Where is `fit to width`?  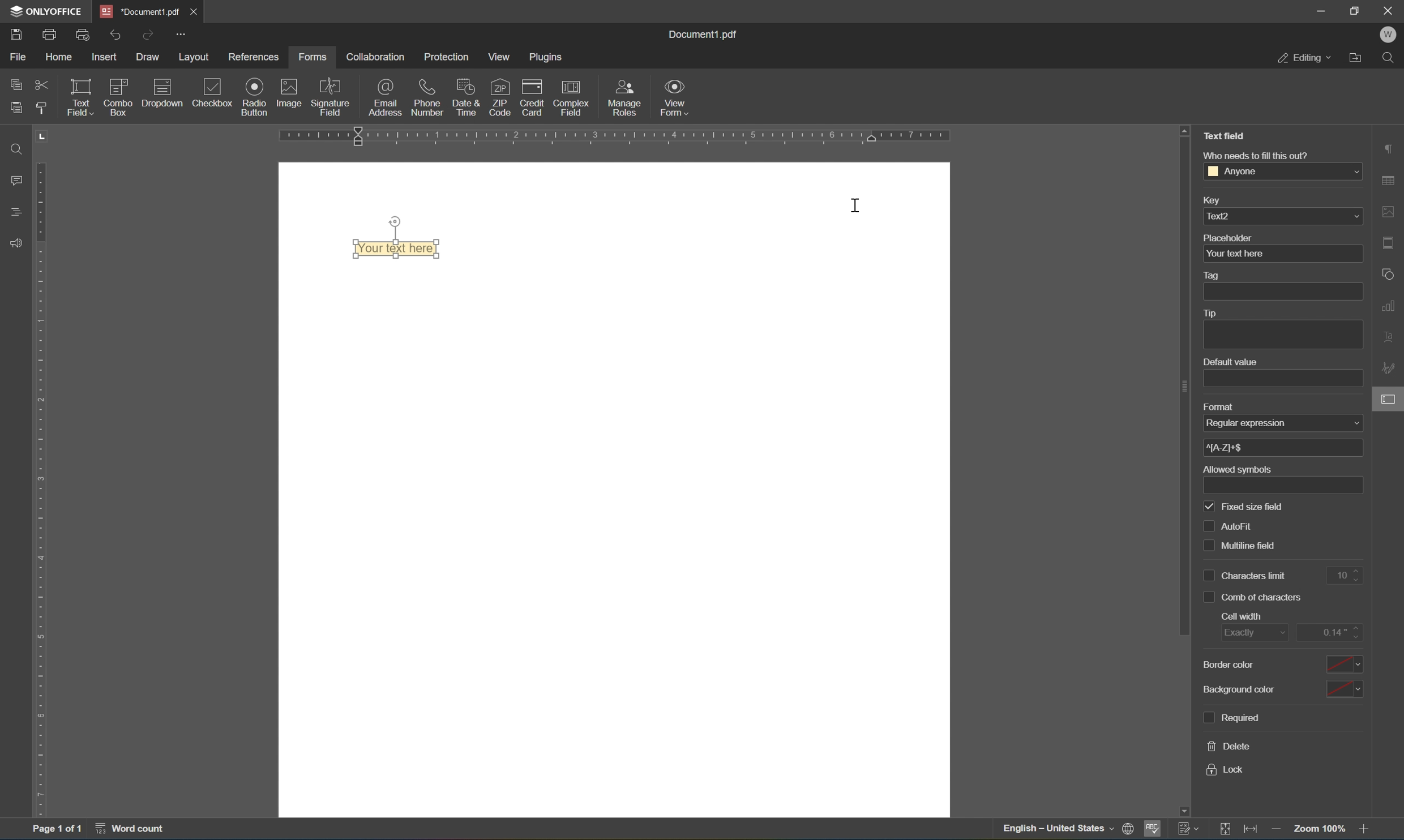
fit to width is located at coordinates (1251, 832).